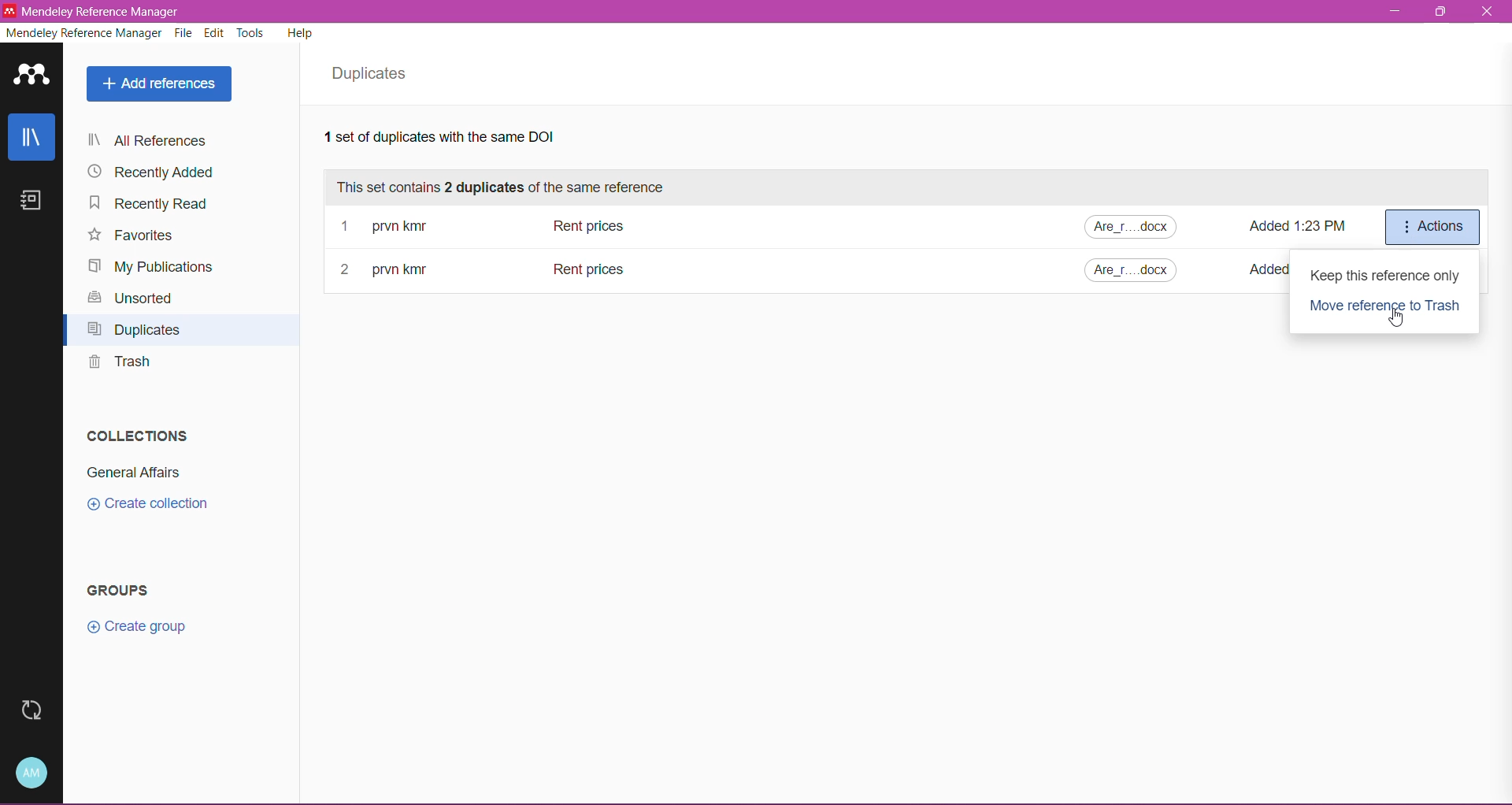 This screenshot has width=1512, height=805. Describe the element at coordinates (158, 85) in the screenshot. I see `Add References` at that location.